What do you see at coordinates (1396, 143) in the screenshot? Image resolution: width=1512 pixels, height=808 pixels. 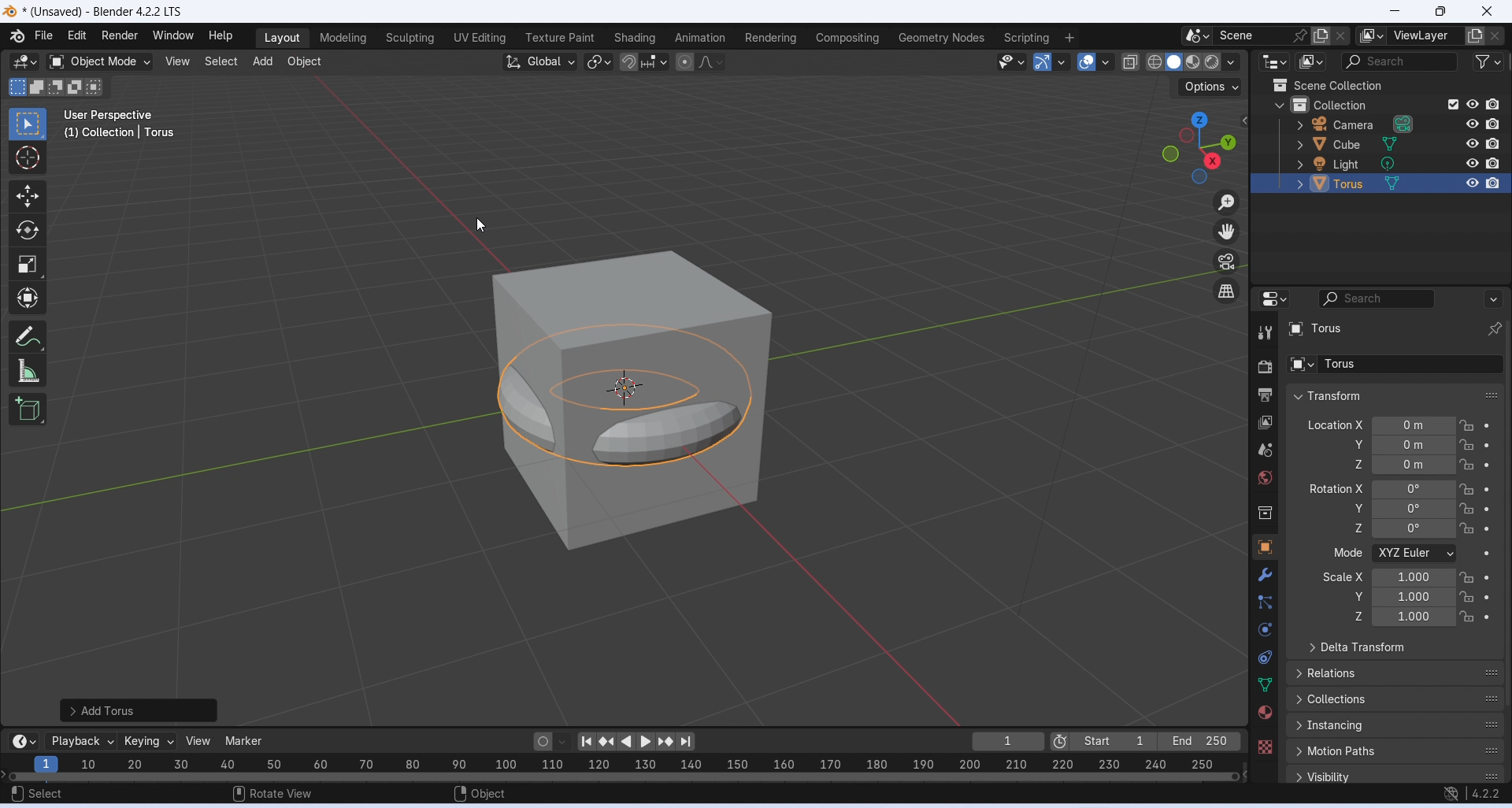 I see `Cube layer` at bounding box center [1396, 143].